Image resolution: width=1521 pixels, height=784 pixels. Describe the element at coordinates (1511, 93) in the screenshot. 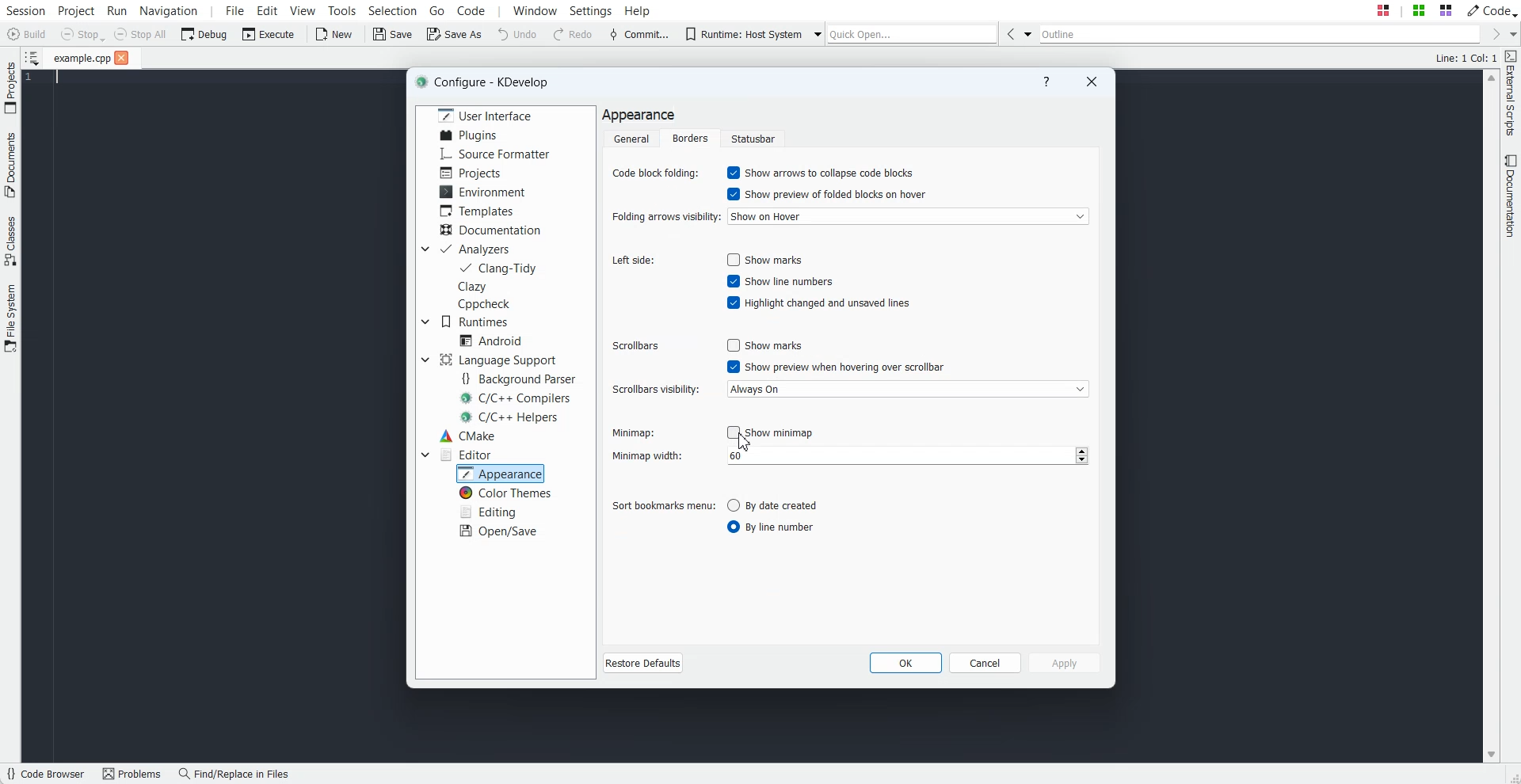

I see `External Scripts` at that location.